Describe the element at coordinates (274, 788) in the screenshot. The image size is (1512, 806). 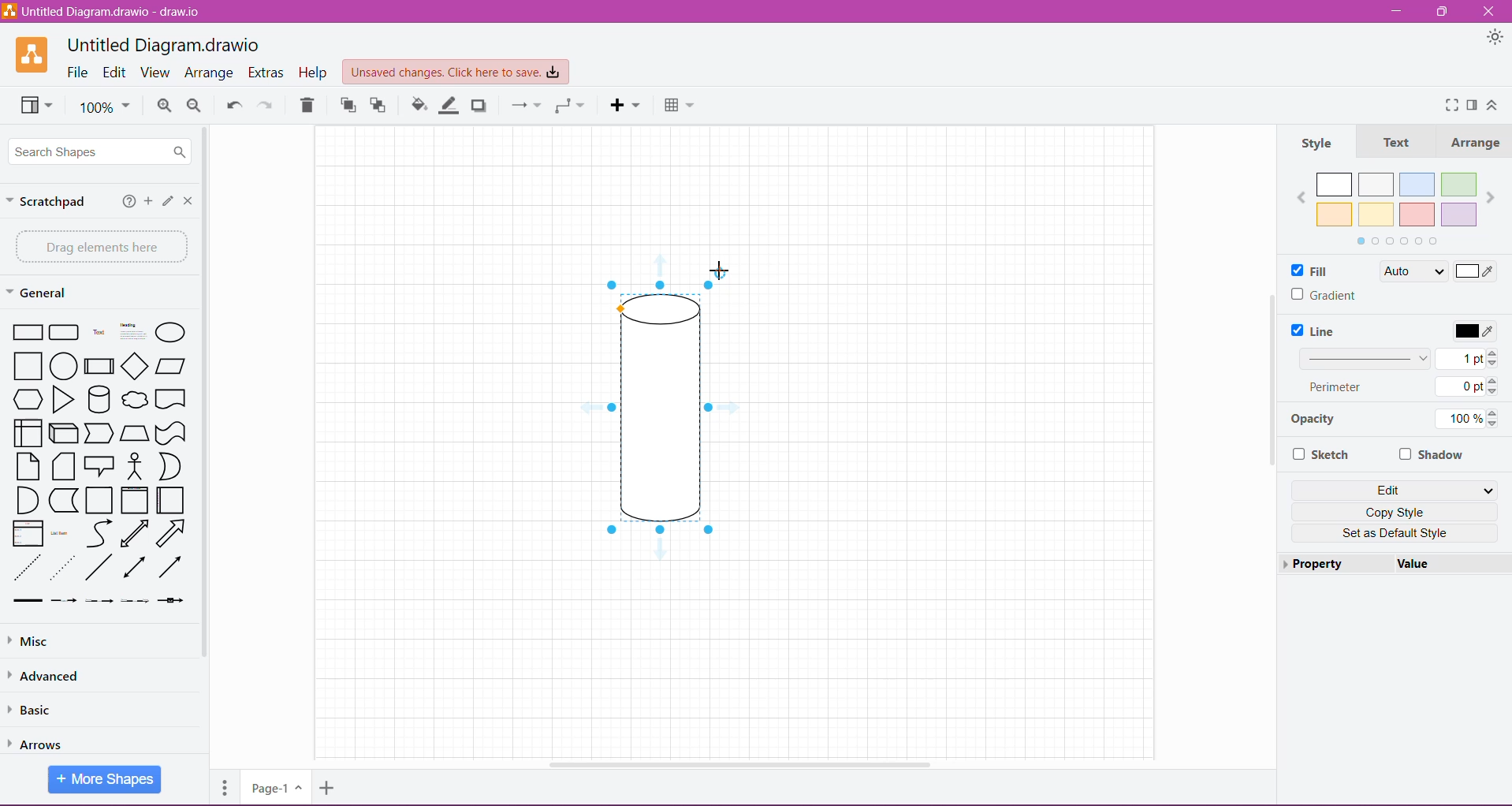
I see `Page-1` at that location.